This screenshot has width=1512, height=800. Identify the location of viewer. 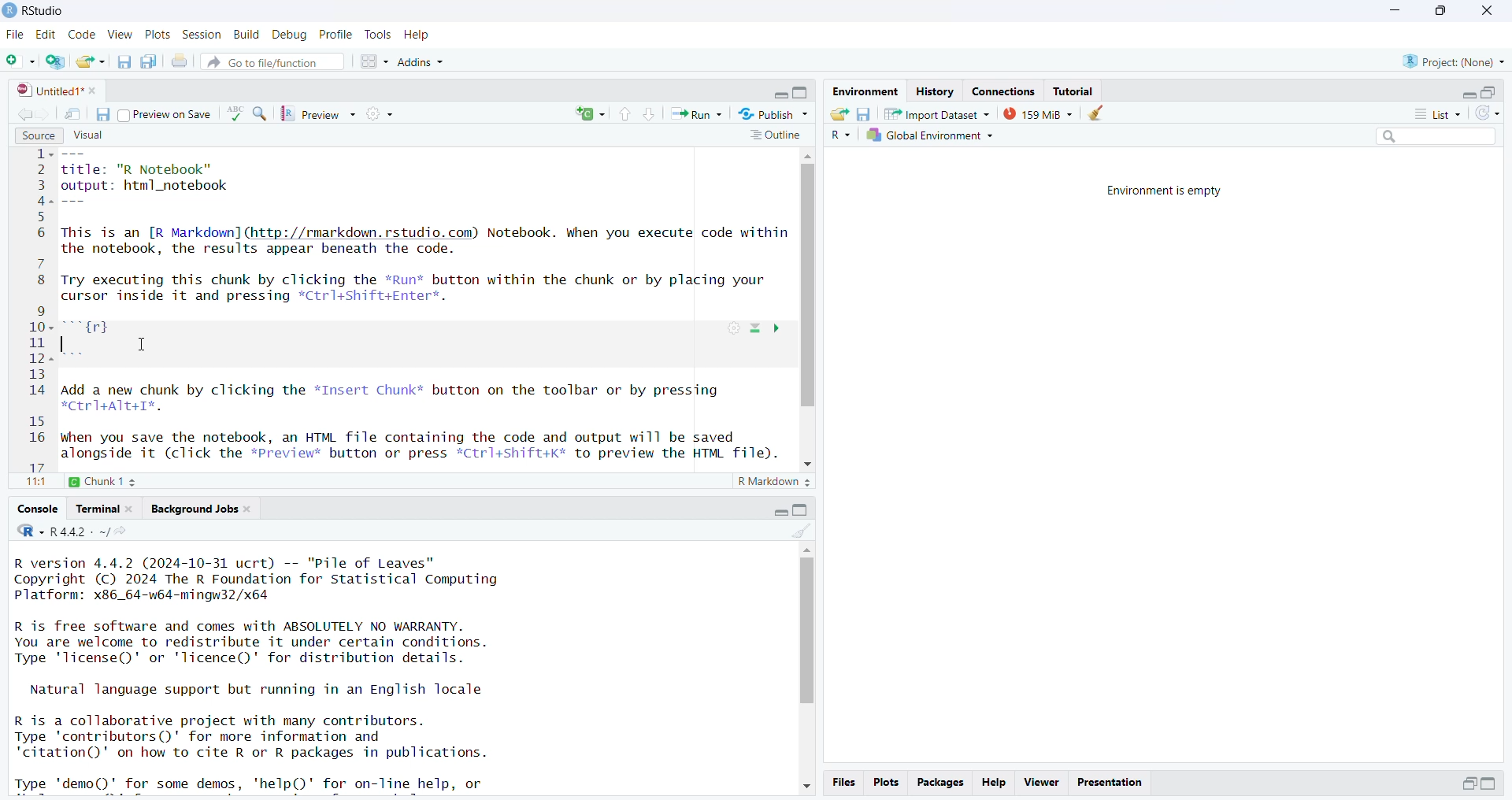
(1041, 783).